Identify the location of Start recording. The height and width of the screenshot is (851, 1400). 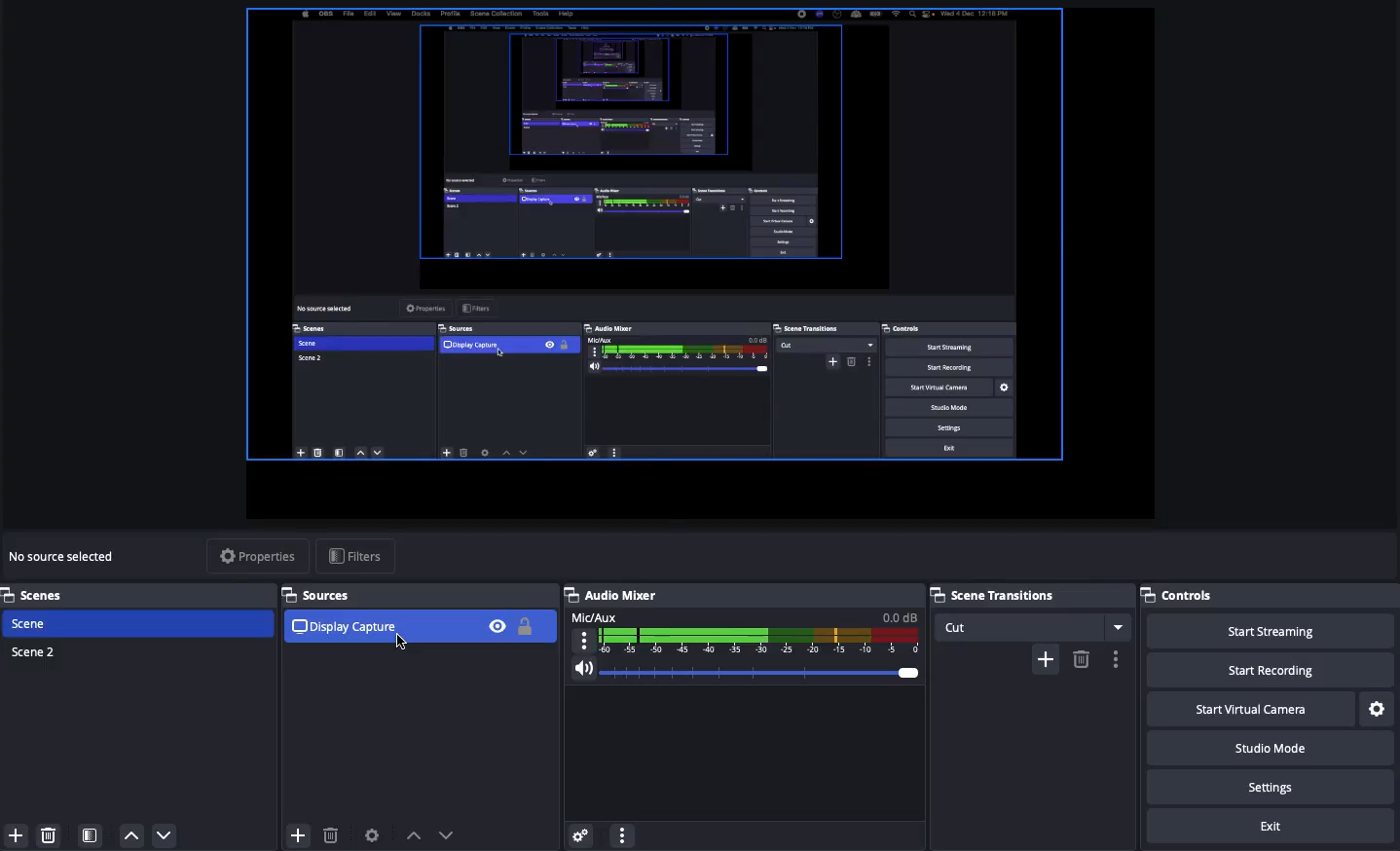
(1265, 669).